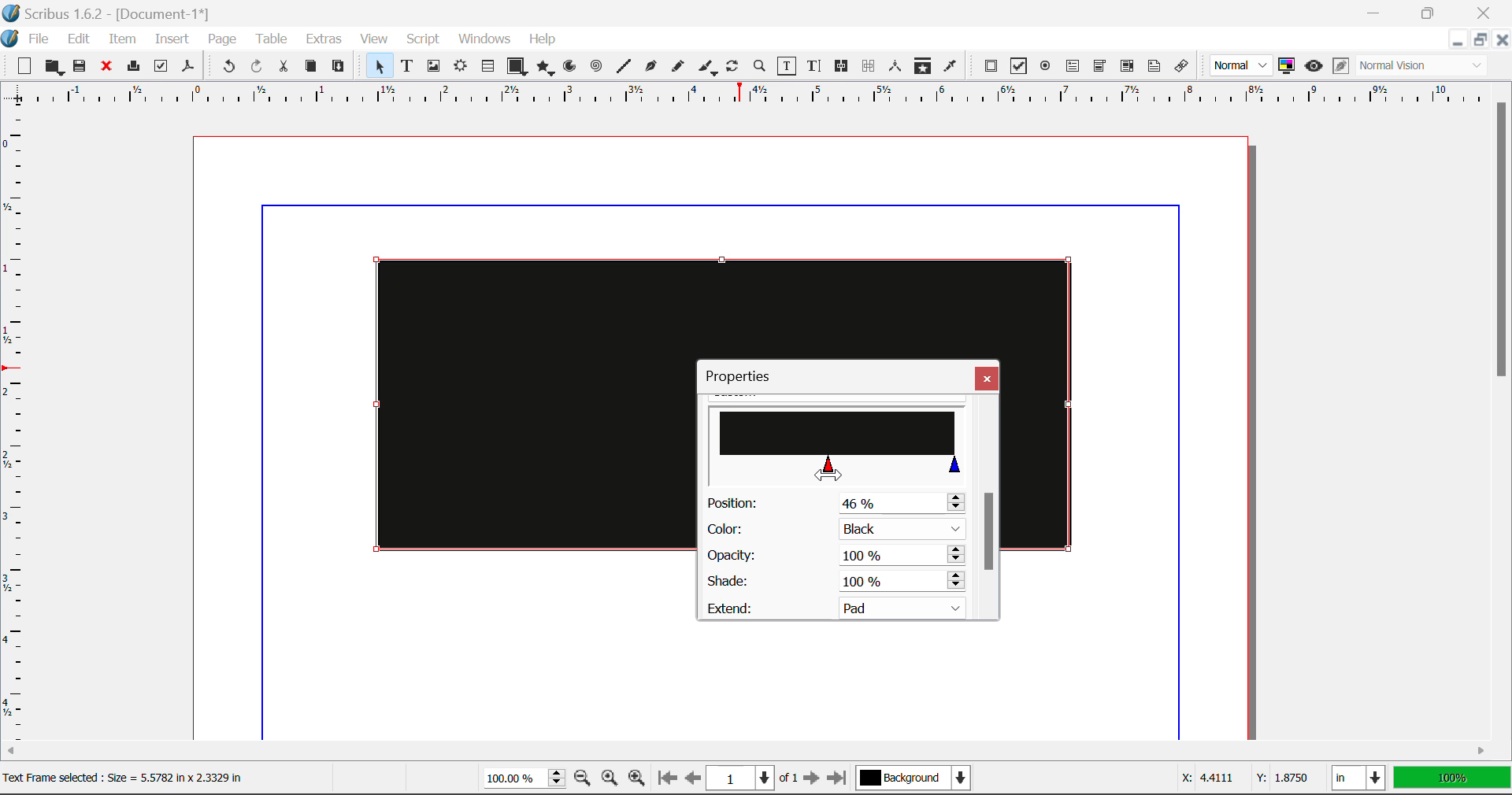  What do you see at coordinates (460, 68) in the screenshot?
I see `Render Frame` at bounding box center [460, 68].